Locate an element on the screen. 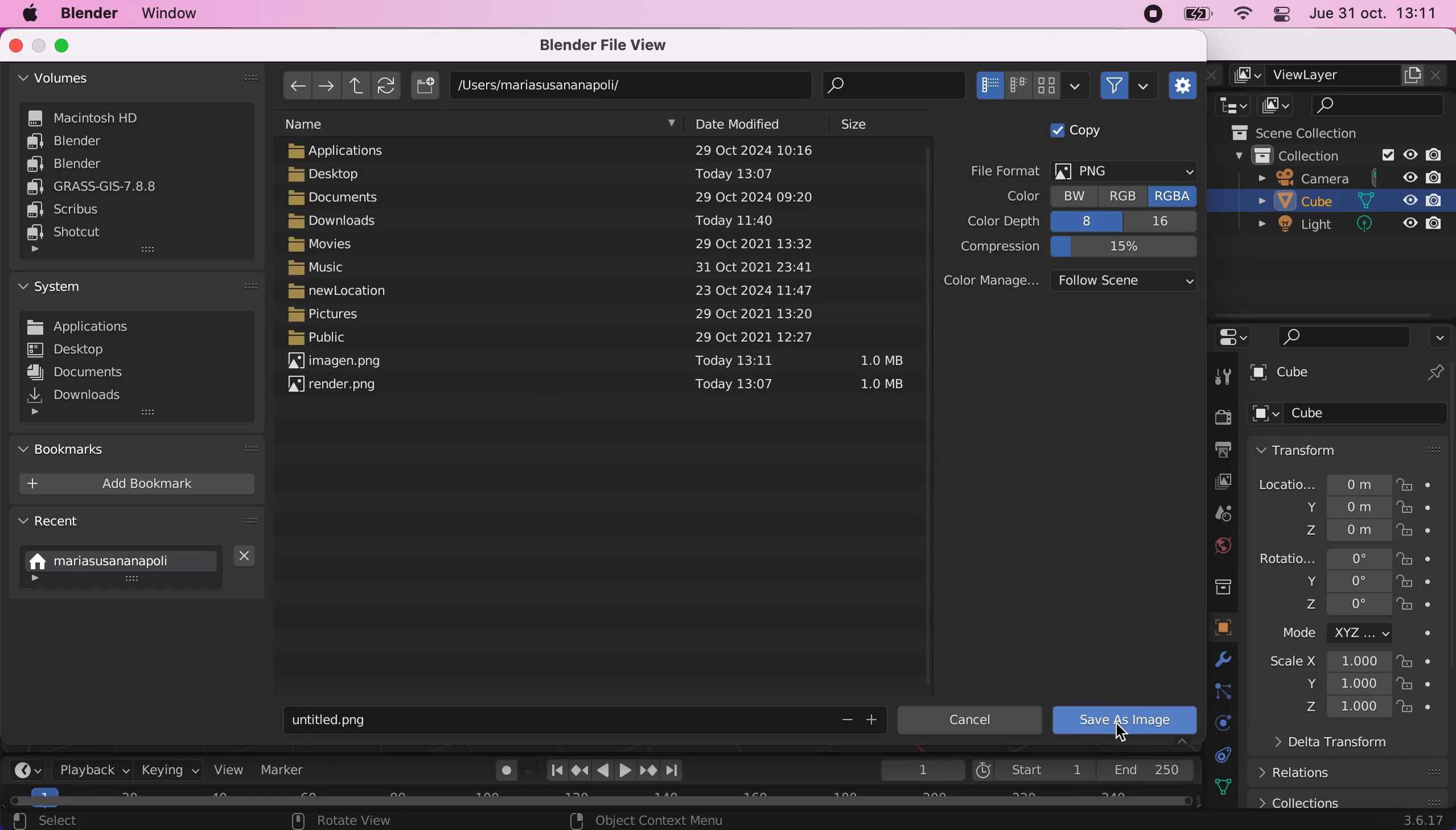  jump to next keyframe is located at coordinates (647, 770).